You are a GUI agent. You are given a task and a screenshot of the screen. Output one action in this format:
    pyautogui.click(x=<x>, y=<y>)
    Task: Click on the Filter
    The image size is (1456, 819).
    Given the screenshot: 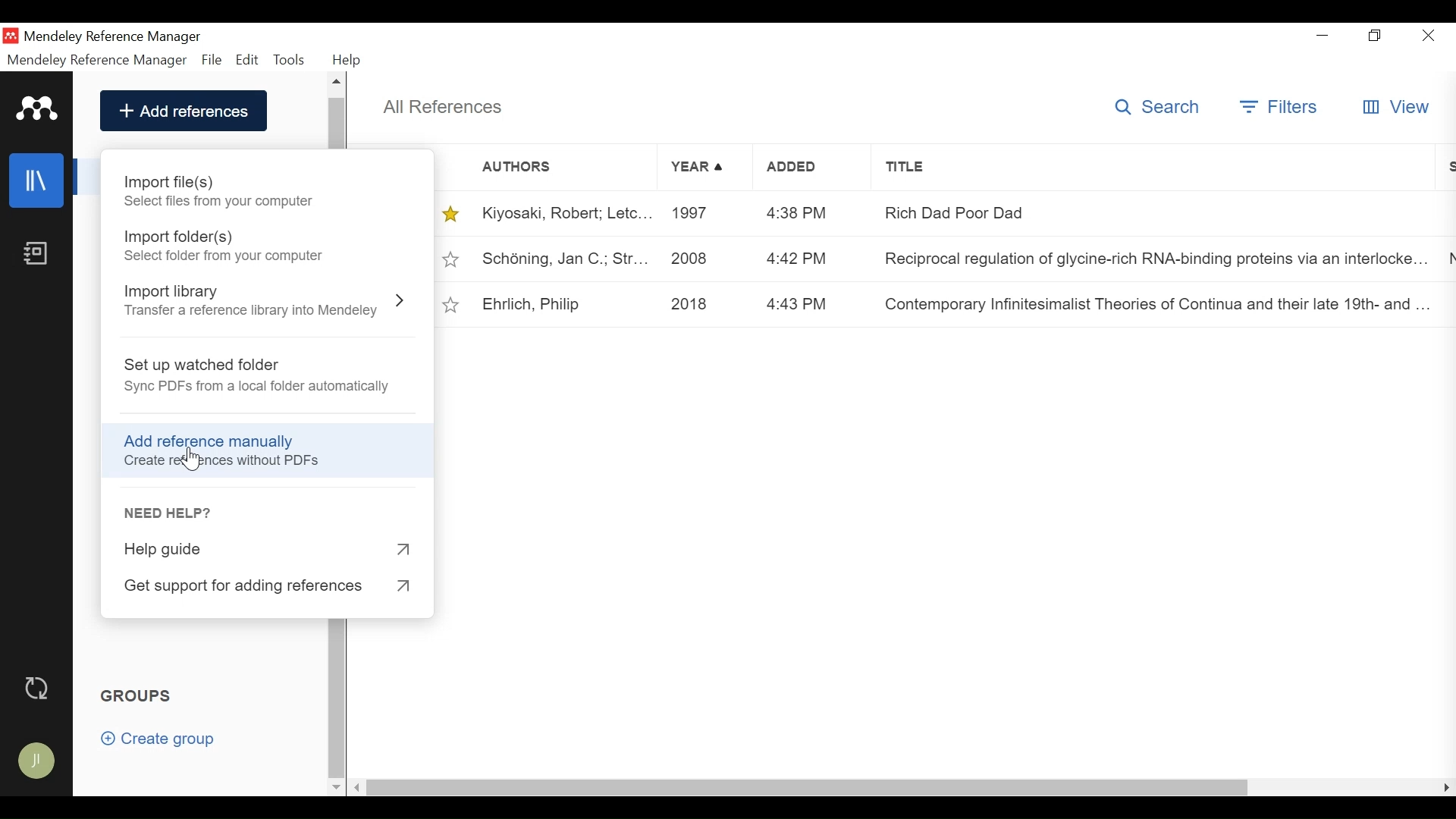 What is the action you would take?
    pyautogui.click(x=1281, y=106)
    